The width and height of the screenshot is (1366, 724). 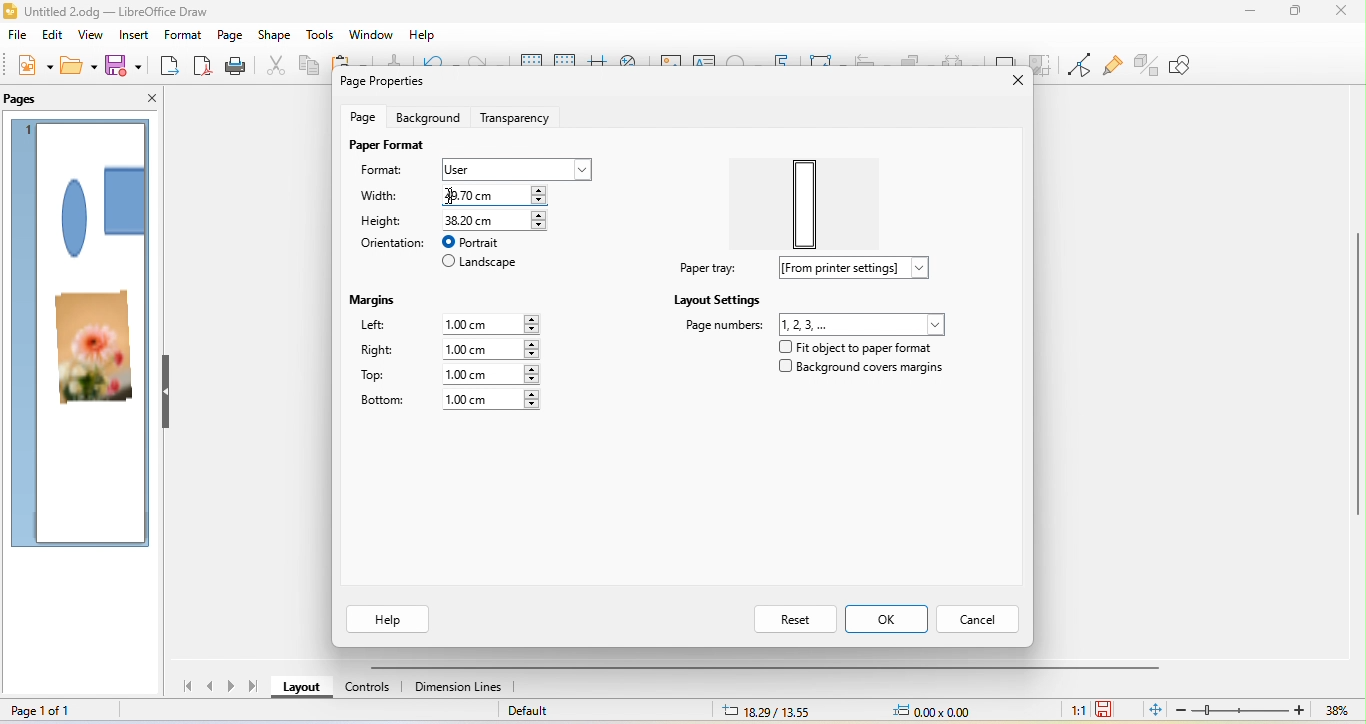 I want to click on select user, so click(x=520, y=167).